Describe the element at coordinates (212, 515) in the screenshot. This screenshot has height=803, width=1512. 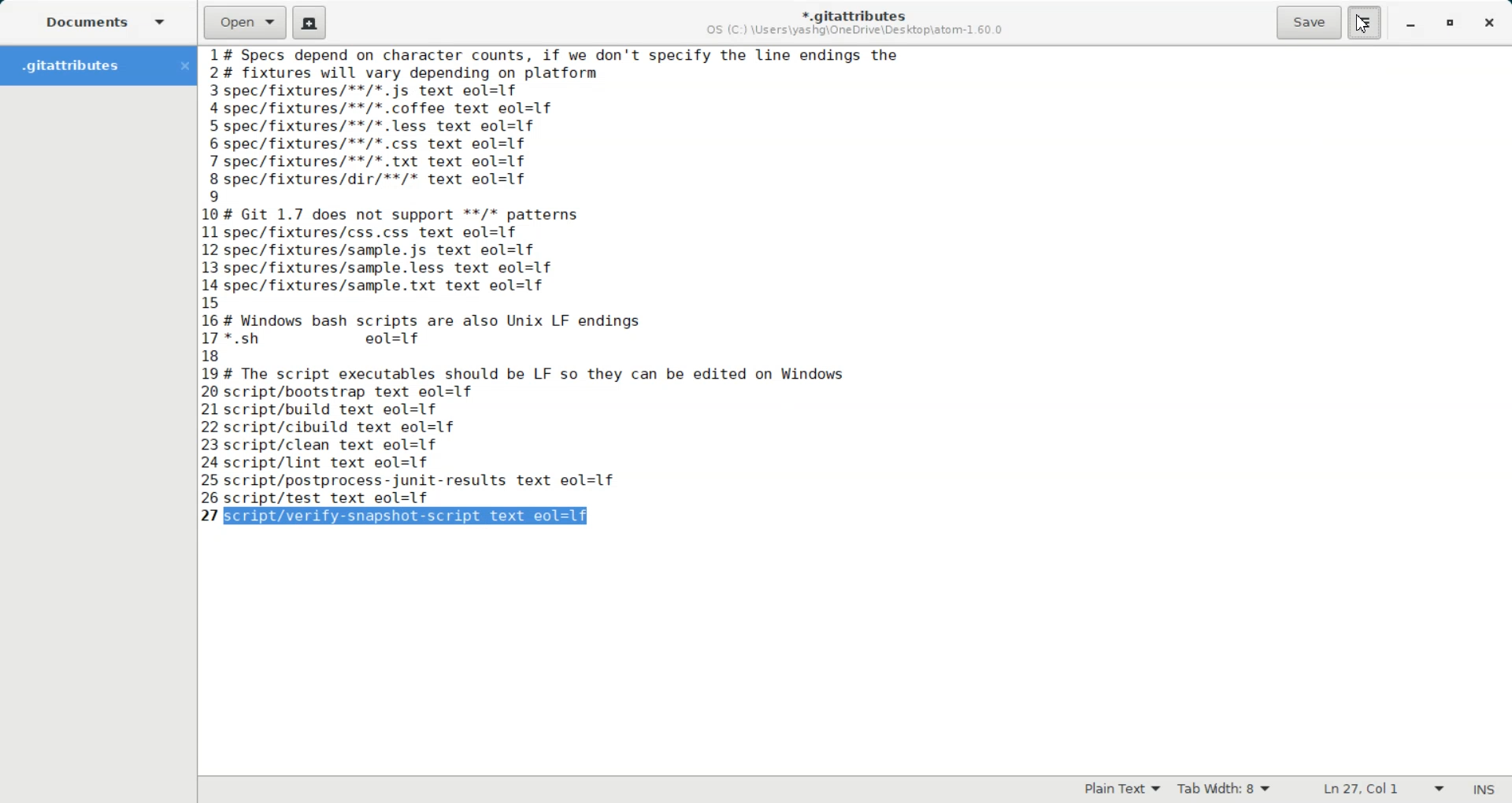
I see `text line number: 27` at that location.